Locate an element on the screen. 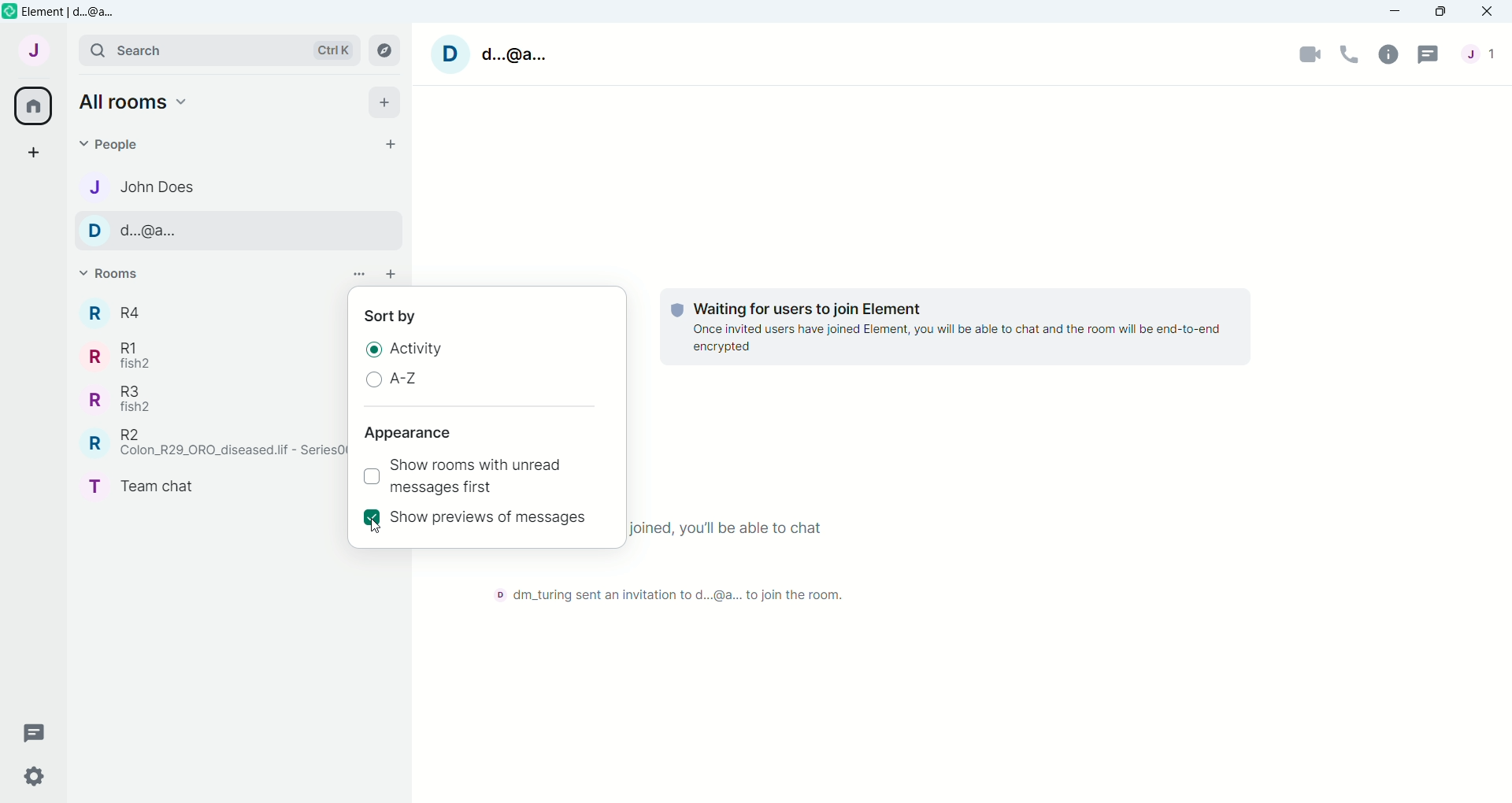 This screenshot has height=803, width=1512. Show previews of messages is located at coordinates (490, 519).